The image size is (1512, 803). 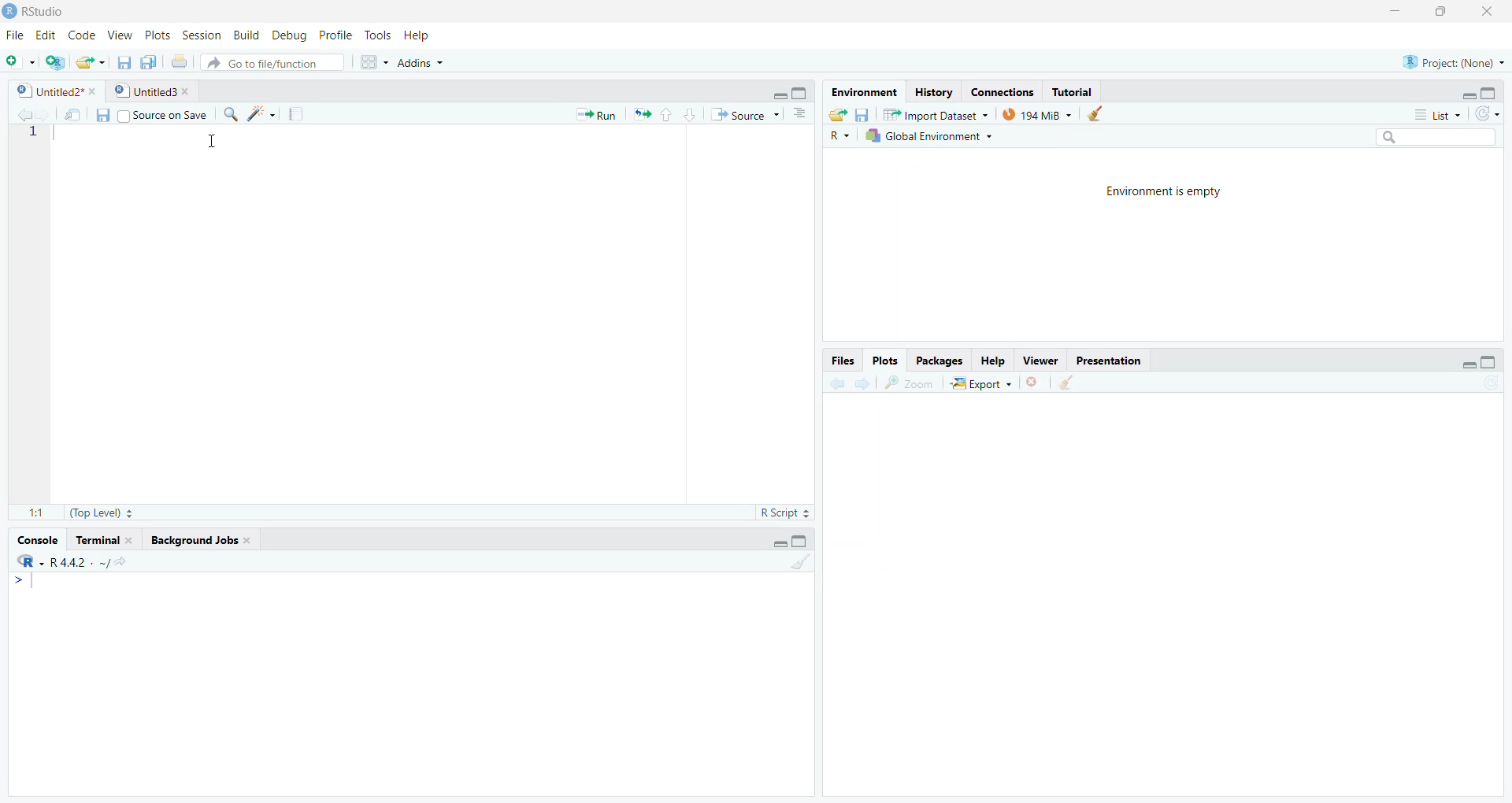 I want to click on Code, so click(x=79, y=36).